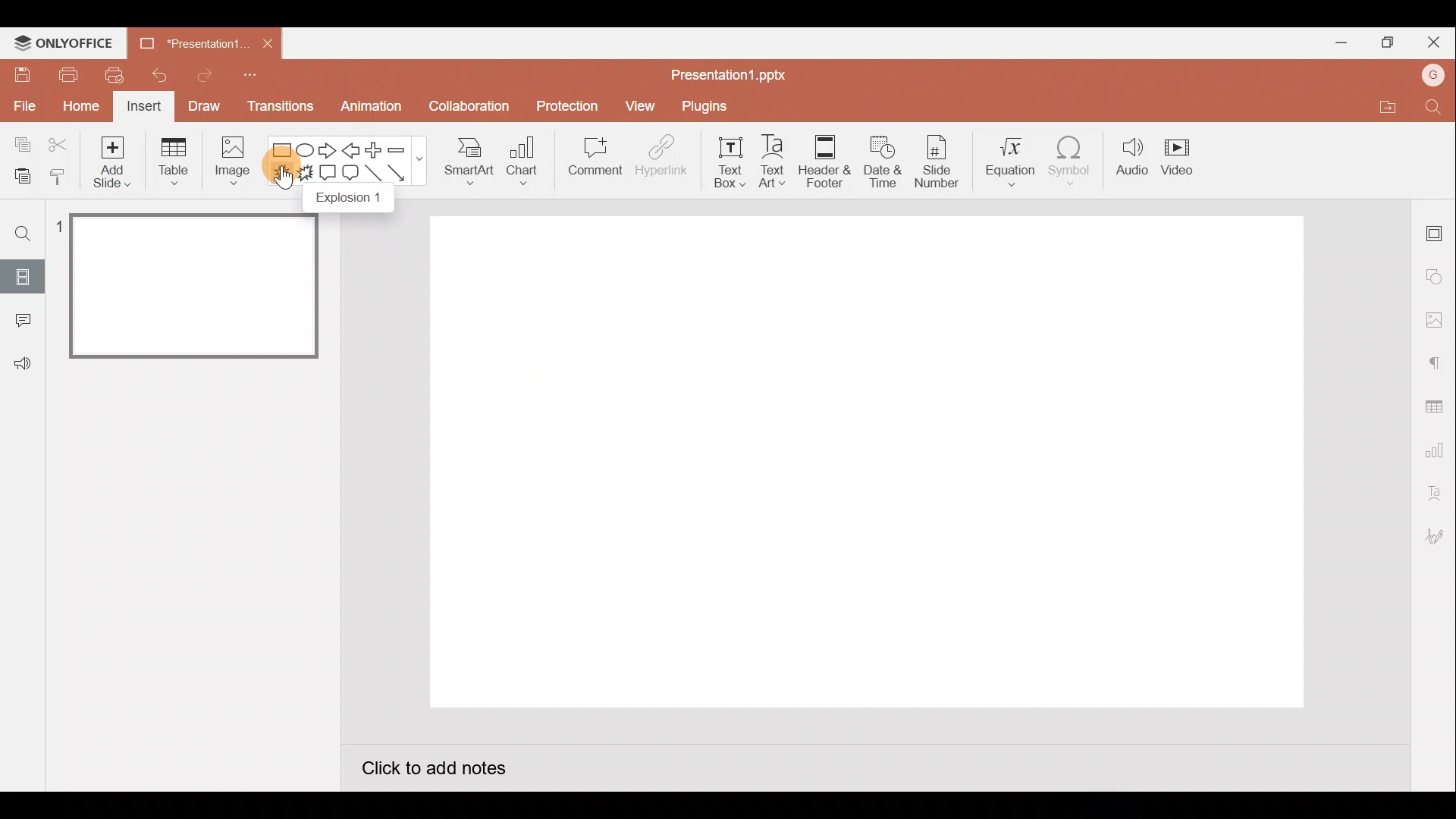 The height and width of the screenshot is (819, 1456). What do you see at coordinates (1437, 535) in the screenshot?
I see `Signature settings` at bounding box center [1437, 535].